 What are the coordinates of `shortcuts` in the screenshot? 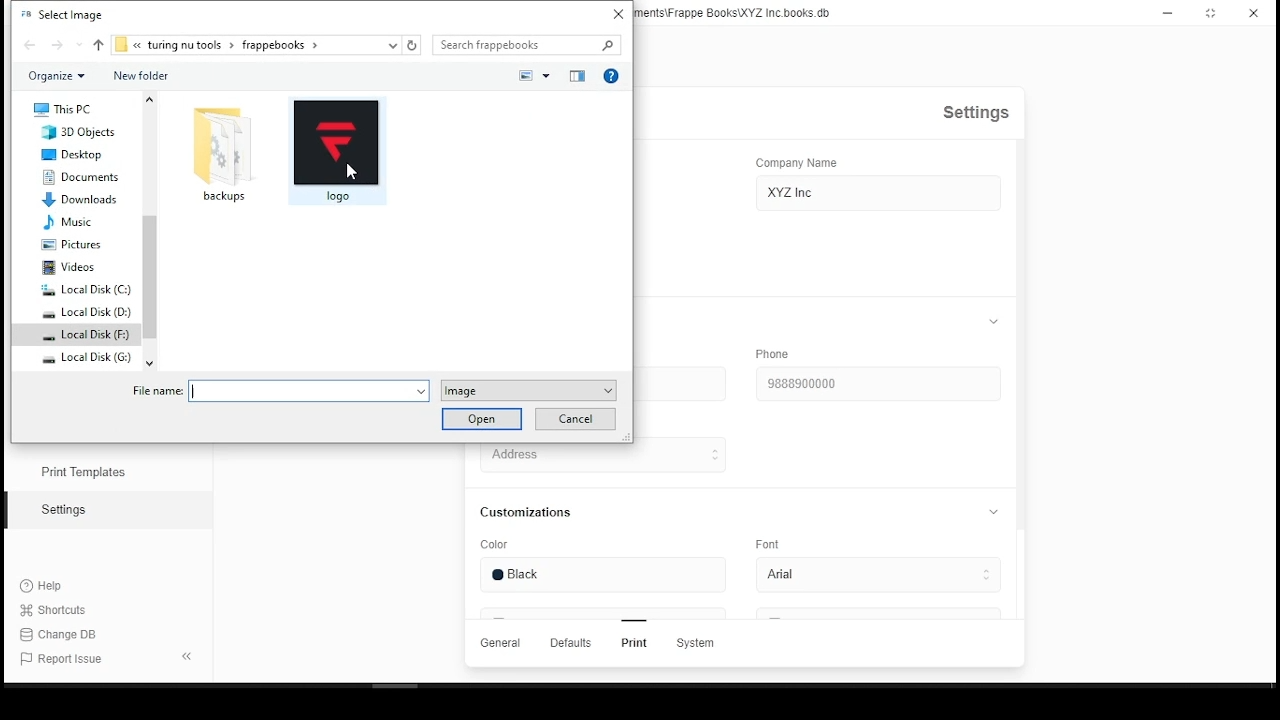 It's located at (58, 611).